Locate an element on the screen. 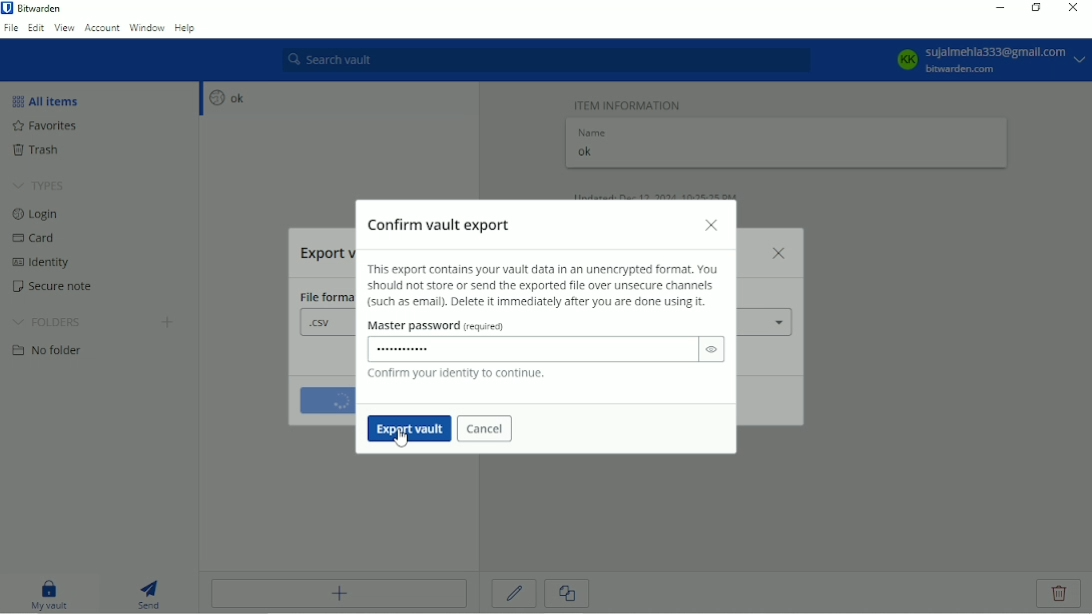 The width and height of the screenshot is (1092, 614). Restore down is located at coordinates (1036, 7).